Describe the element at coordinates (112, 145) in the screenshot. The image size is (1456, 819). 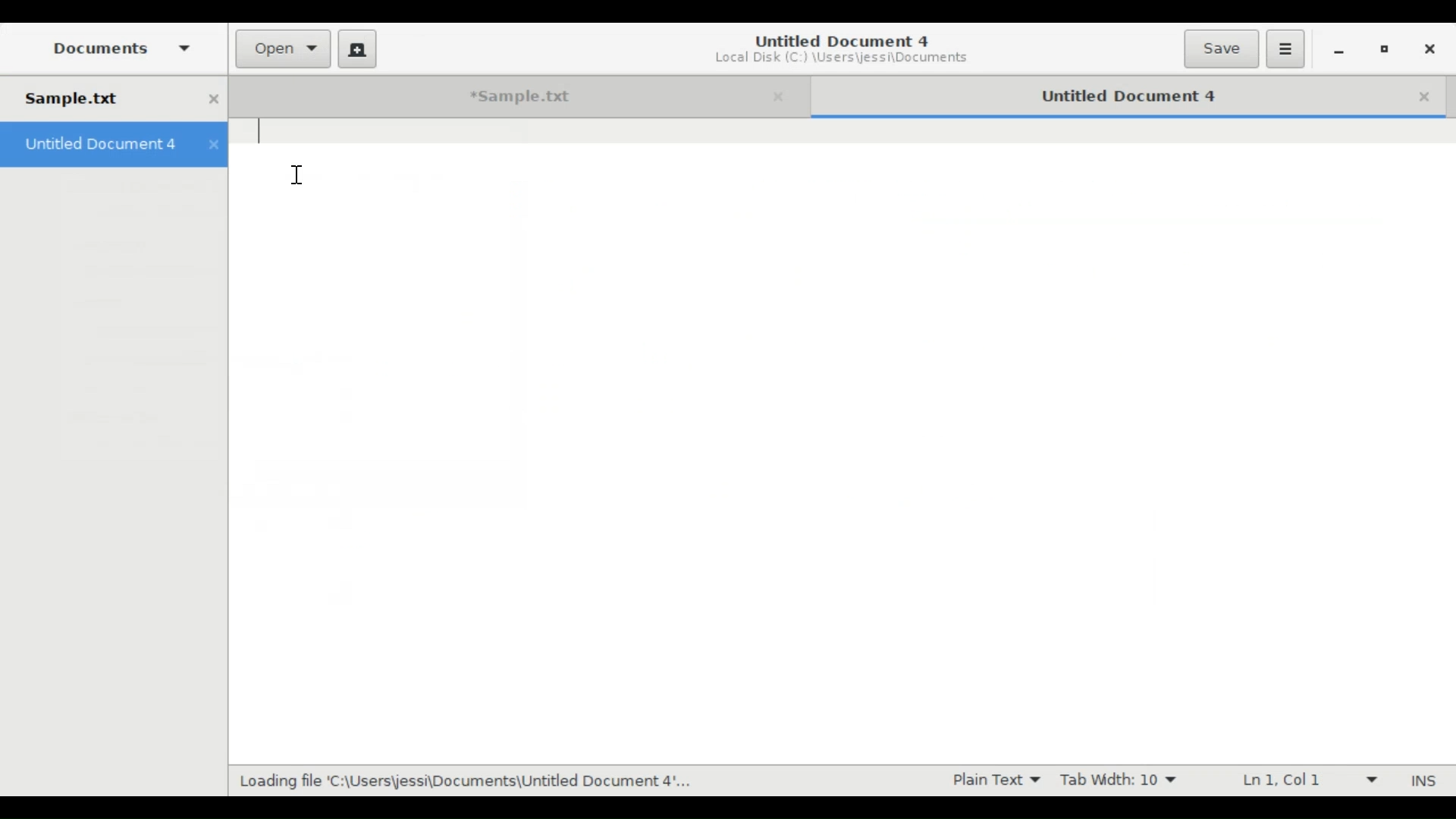
I see `Untitled Document 4` at that location.